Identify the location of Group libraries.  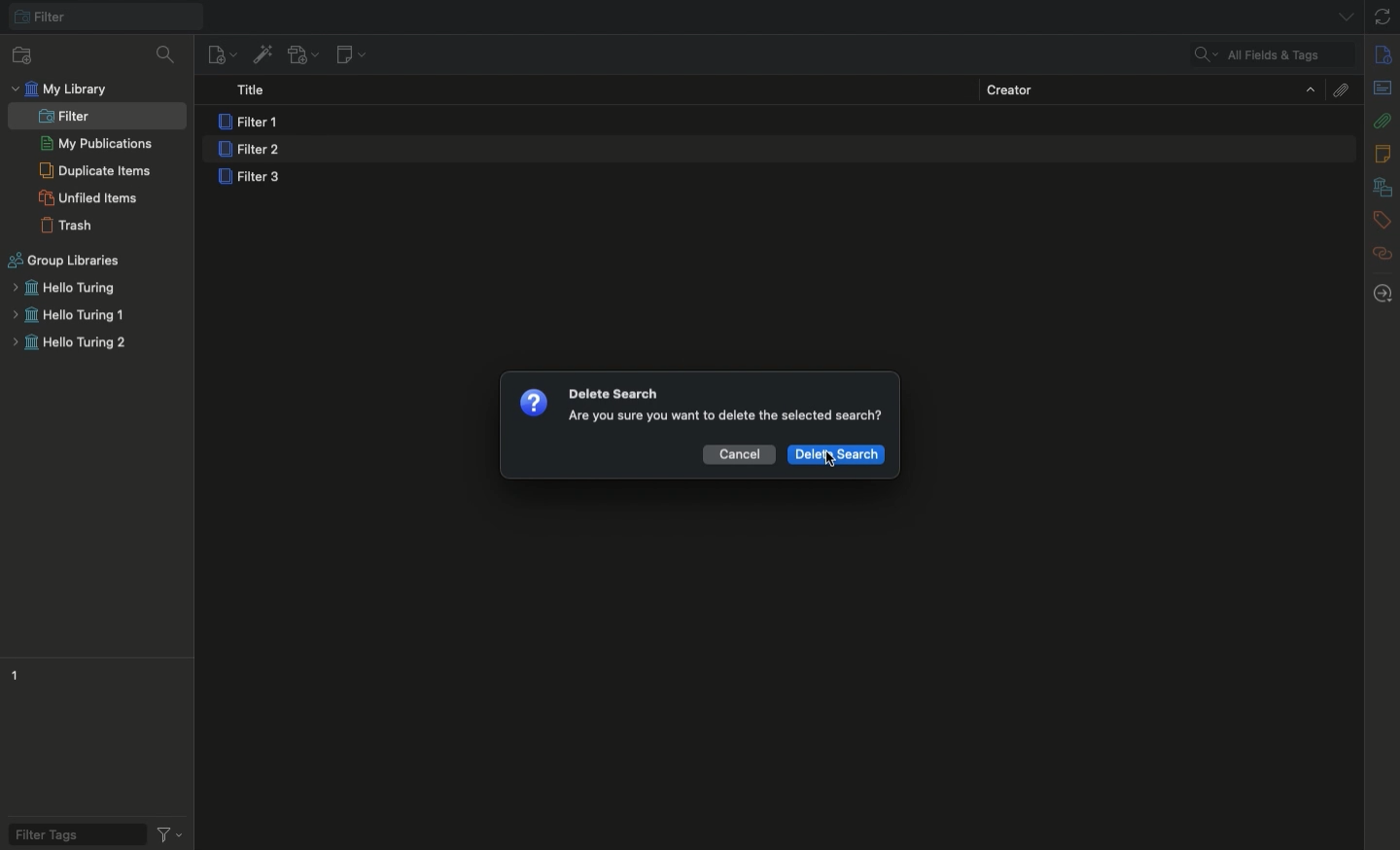
(65, 261).